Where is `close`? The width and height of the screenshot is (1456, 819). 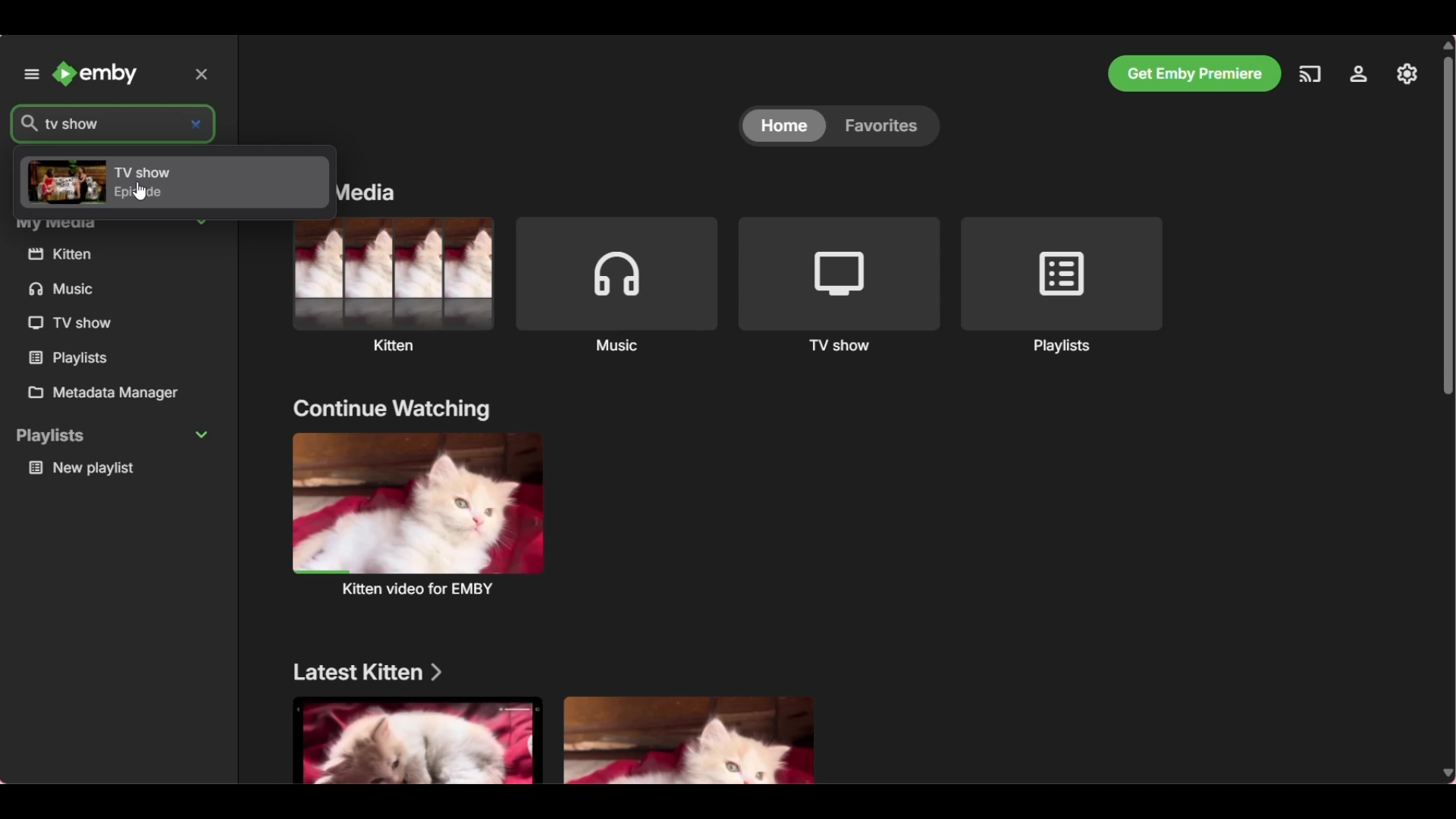 close is located at coordinates (206, 72).